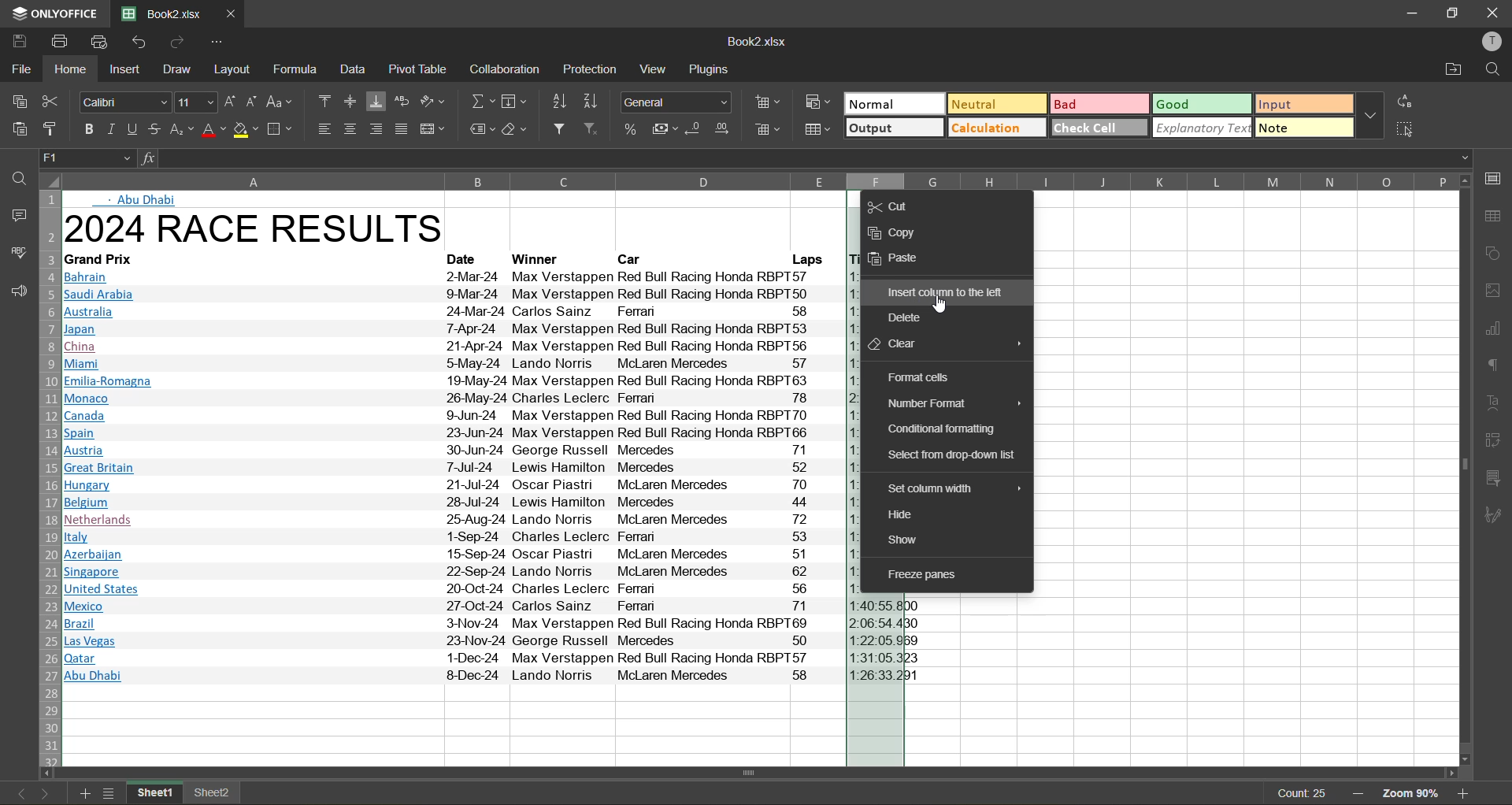 The height and width of the screenshot is (805, 1512). What do you see at coordinates (755, 180) in the screenshot?
I see `column names` at bounding box center [755, 180].